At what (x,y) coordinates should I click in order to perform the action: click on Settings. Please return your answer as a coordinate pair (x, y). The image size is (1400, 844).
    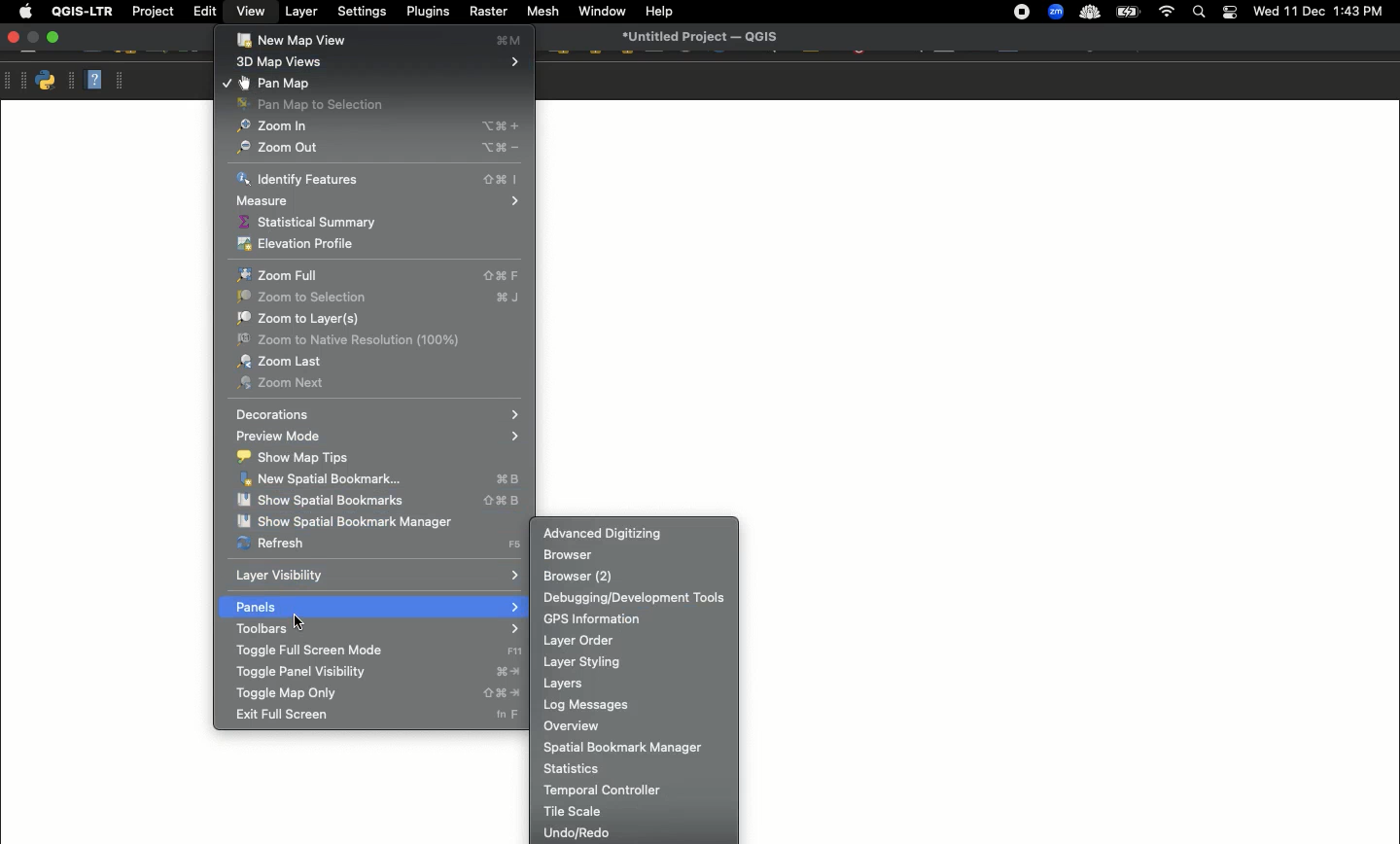
    Looking at the image, I should click on (364, 12).